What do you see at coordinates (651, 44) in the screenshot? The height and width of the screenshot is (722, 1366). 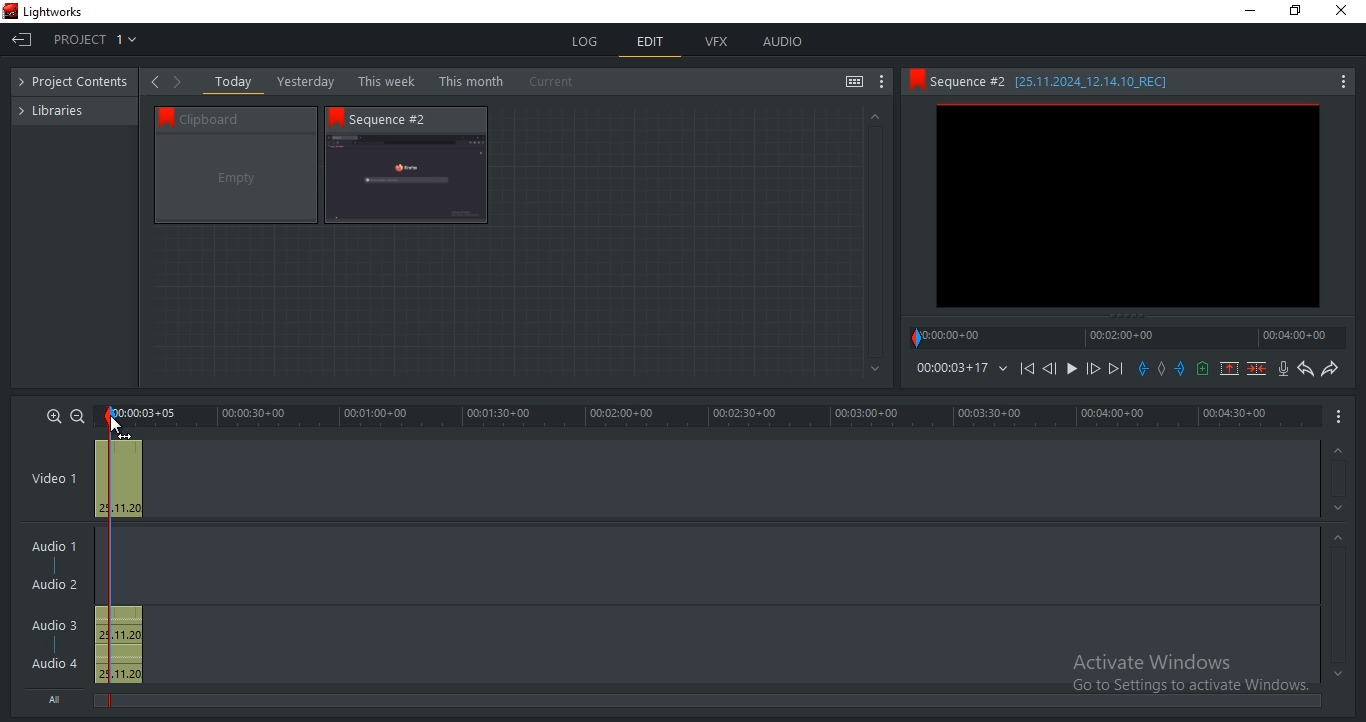 I see `edit` at bounding box center [651, 44].